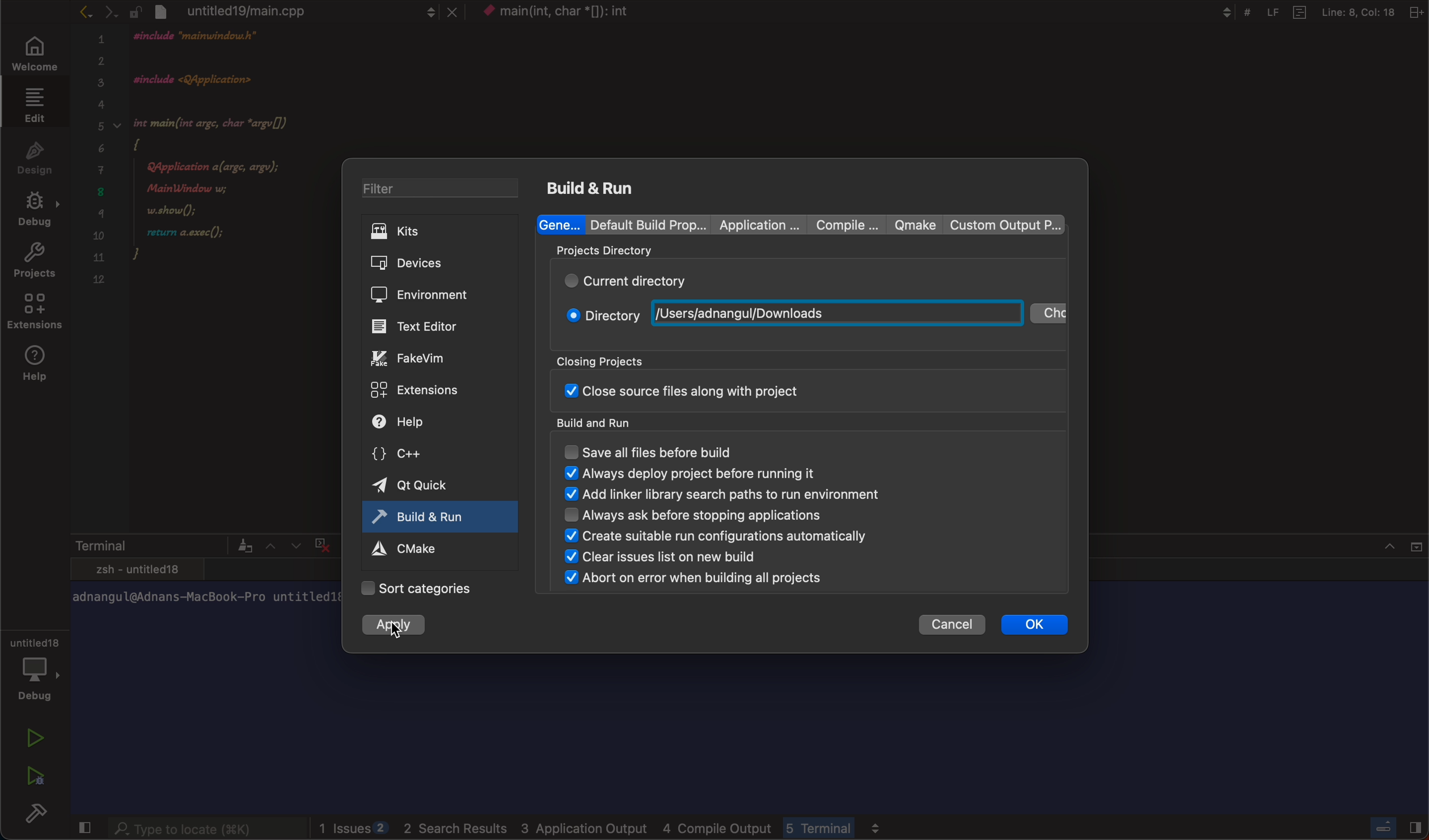 The height and width of the screenshot is (840, 1429). Describe the element at coordinates (35, 106) in the screenshot. I see `edit` at that location.